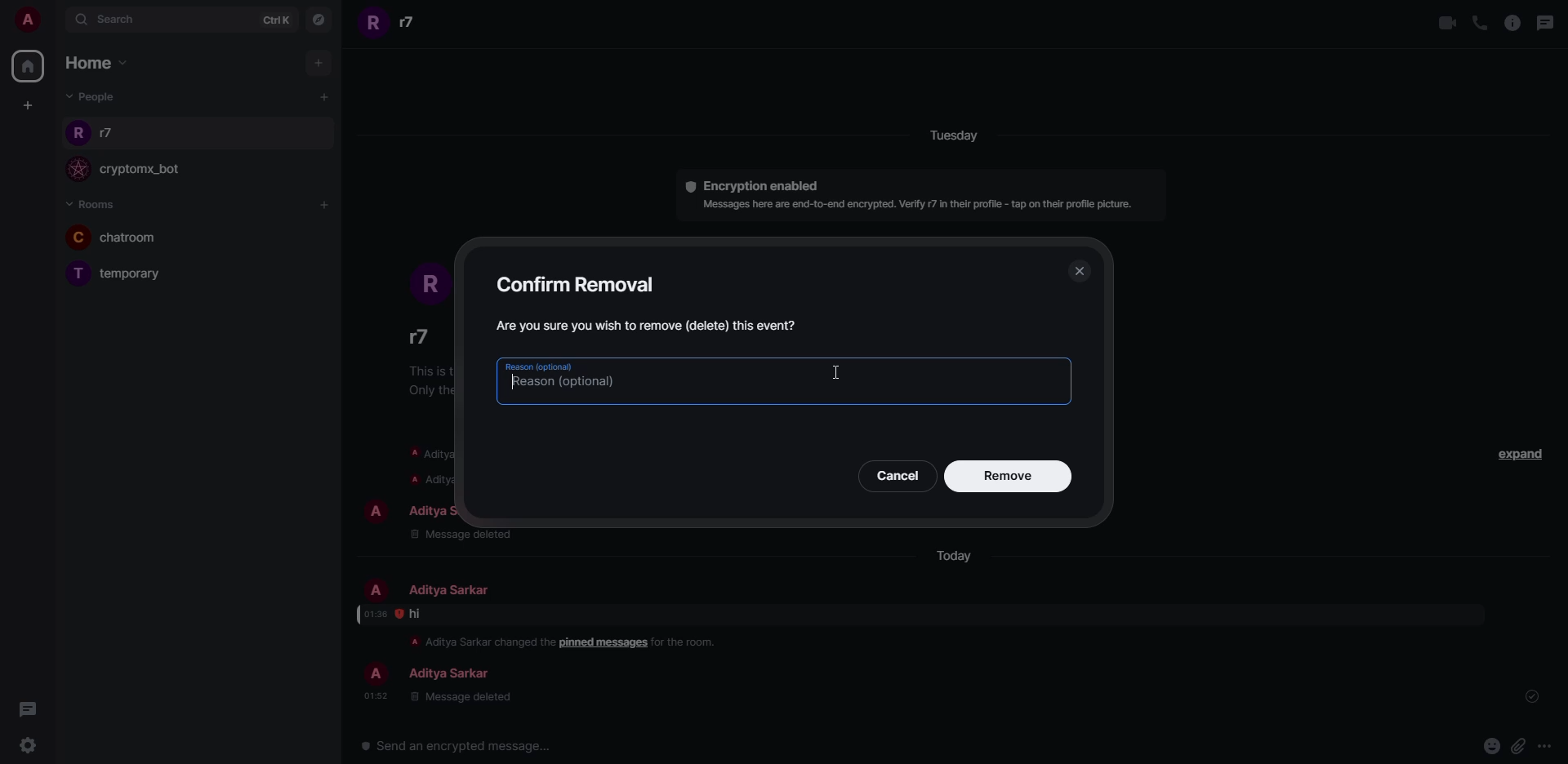 The width and height of the screenshot is (1568, 764). What do you see at coordinates (746, 184) in the screenshot?
I see `encryption enabled` at bounding box center [746, 184].